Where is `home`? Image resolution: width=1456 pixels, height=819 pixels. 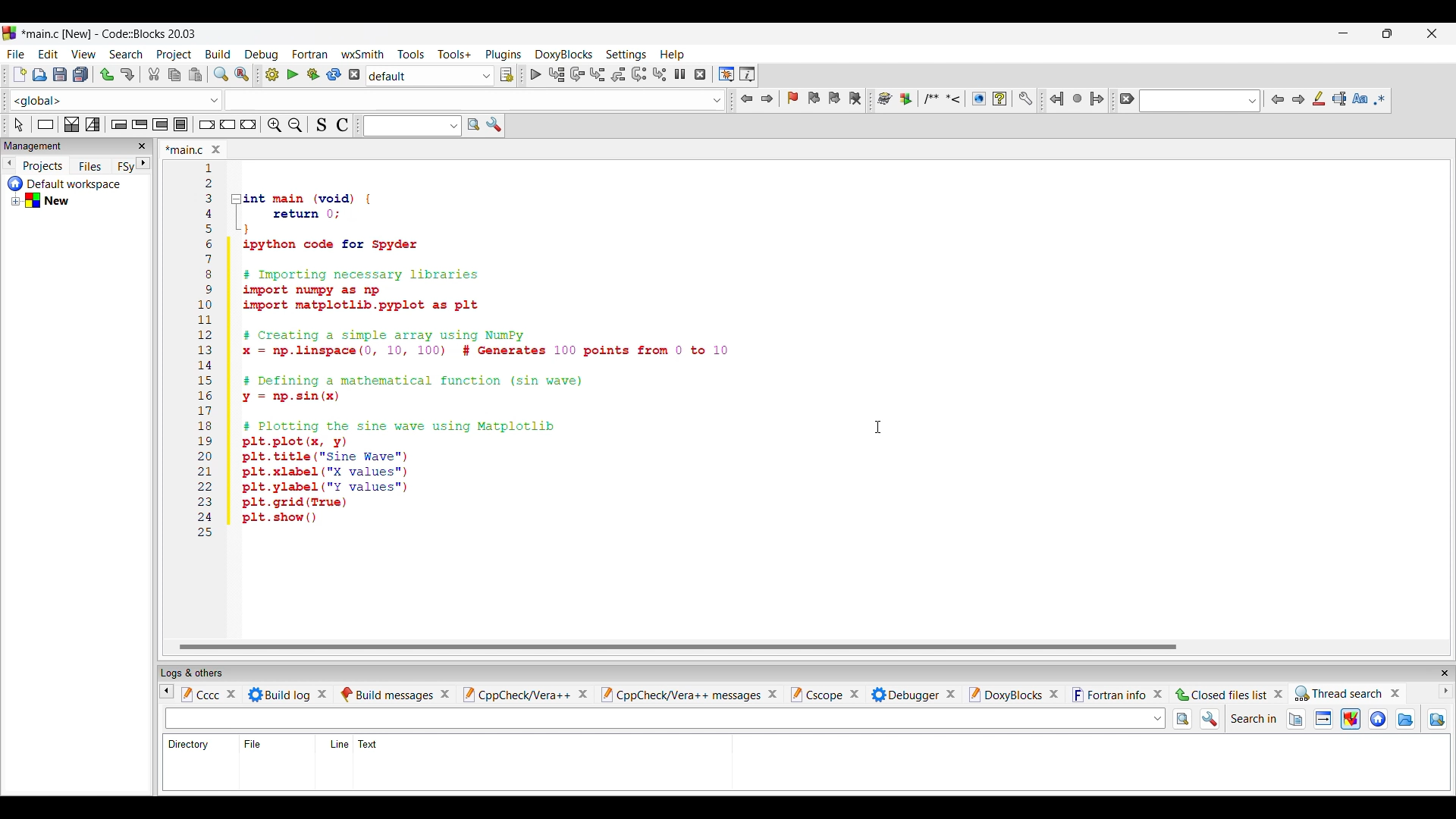 home is located at coordinates (1379, 721).